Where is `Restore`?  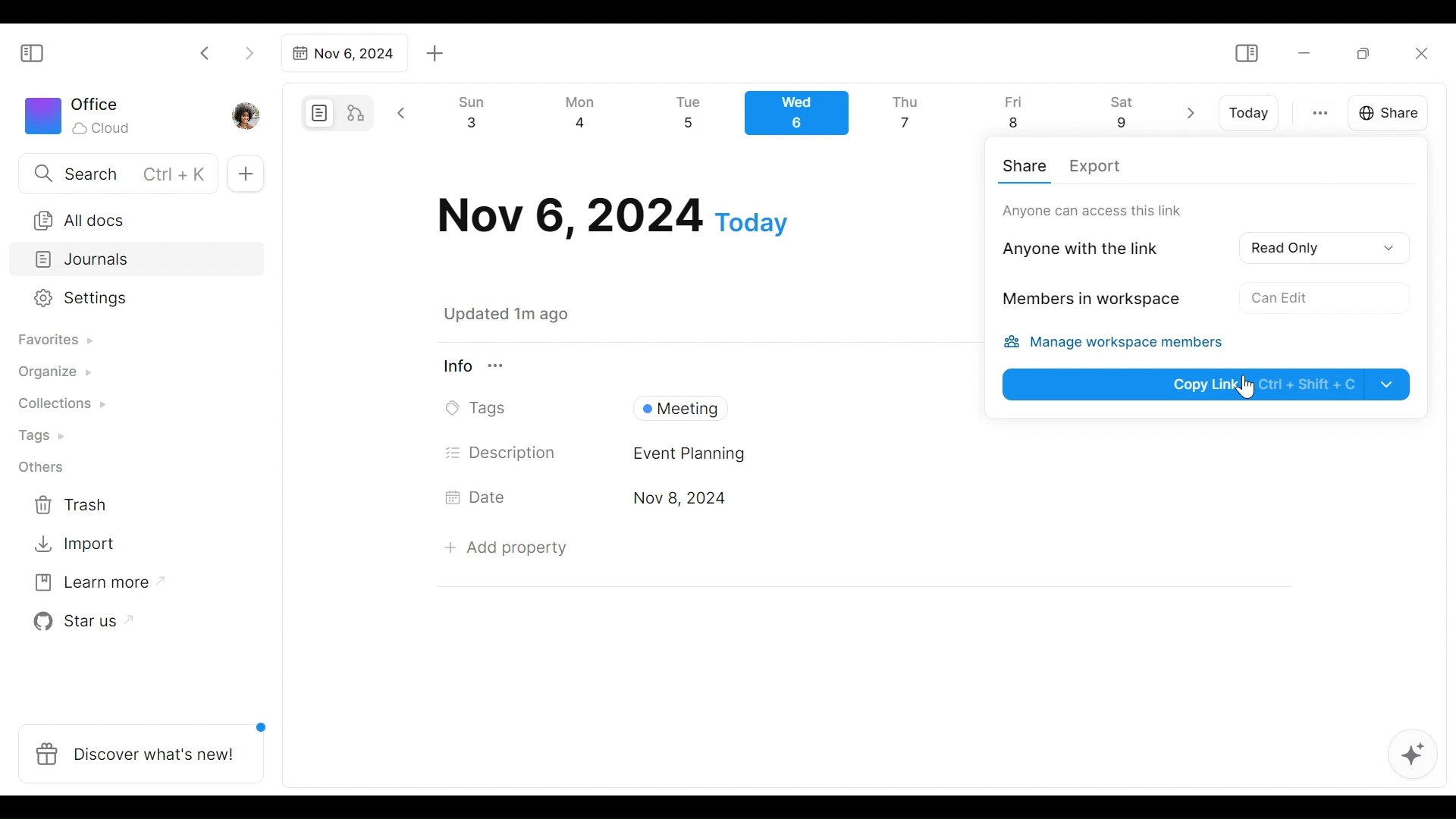
Restore is located at coordinates (1369, 52).